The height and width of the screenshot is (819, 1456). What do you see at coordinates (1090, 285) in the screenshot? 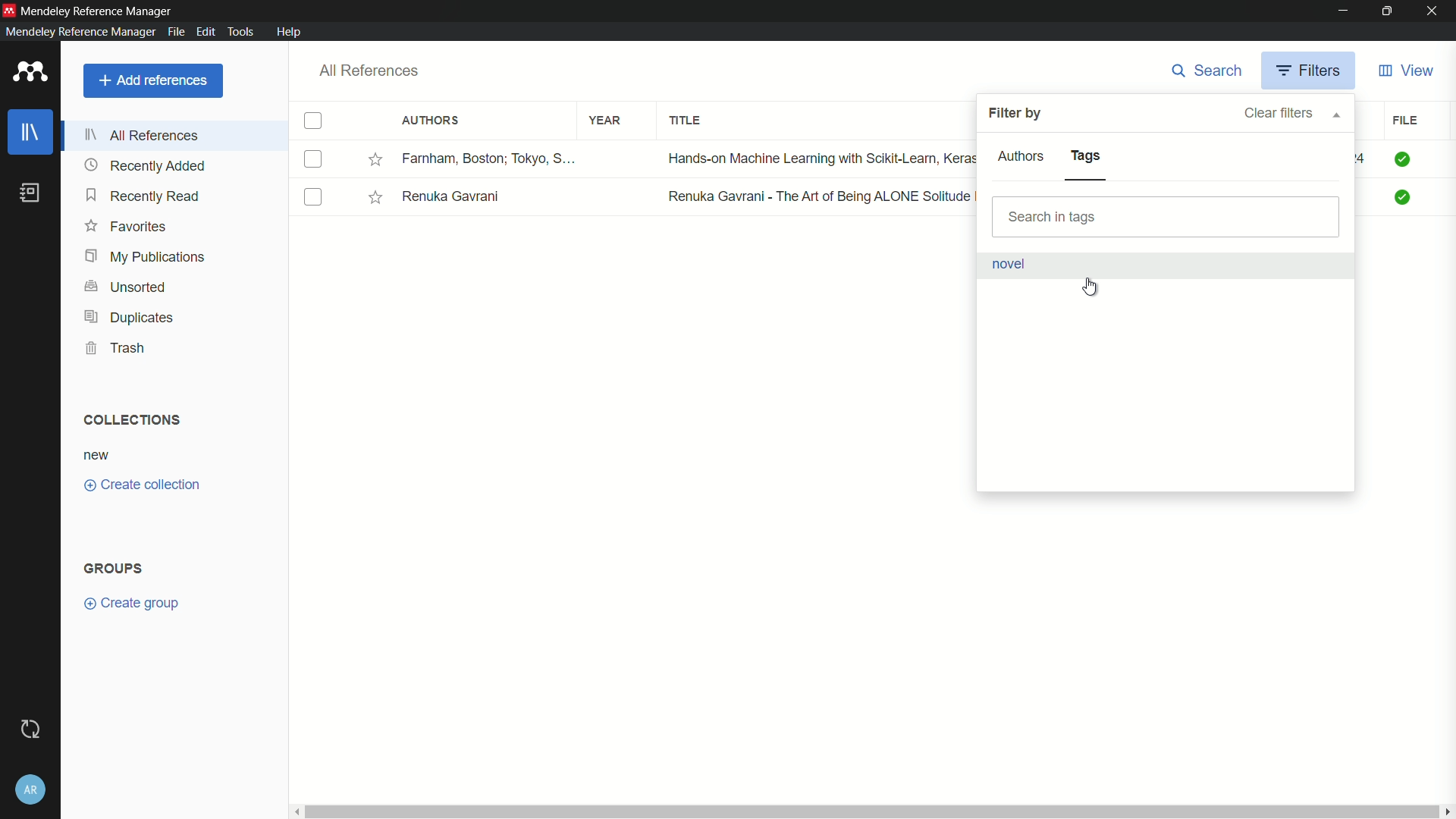
I see `cursor` at bounding box center [1090, 285].